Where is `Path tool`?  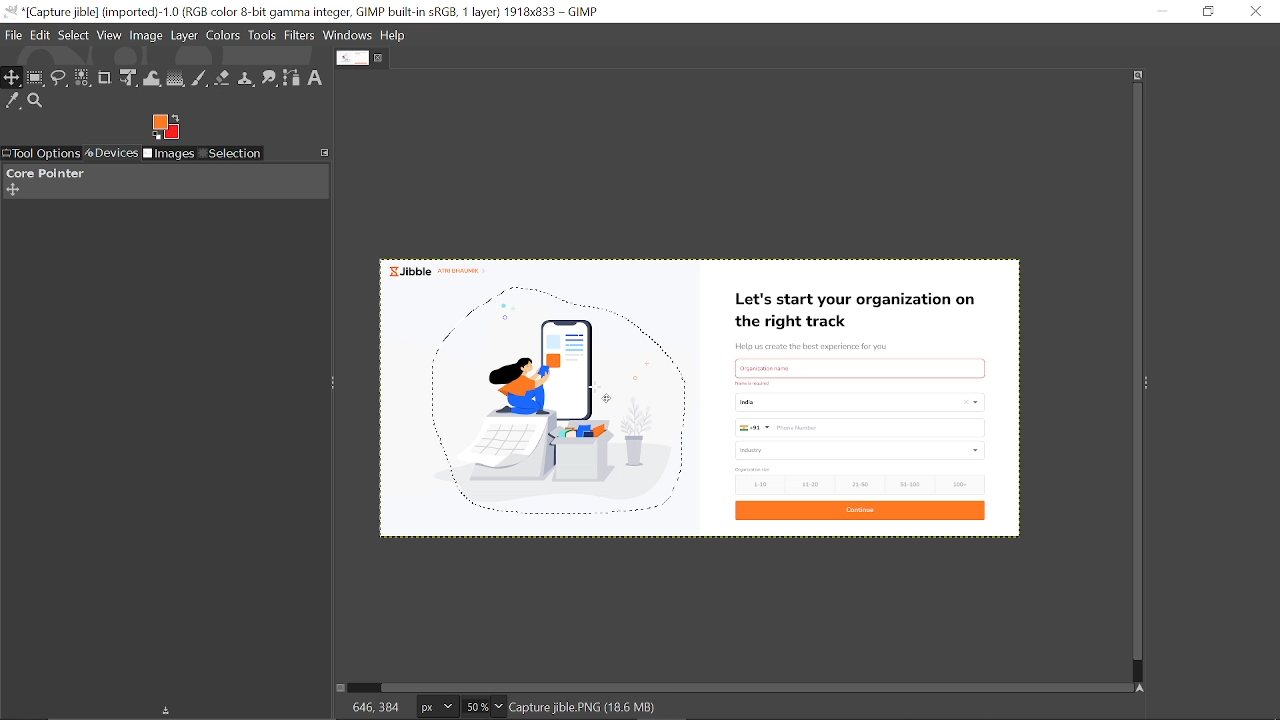 Path tool is located at coordinates (292, 79).